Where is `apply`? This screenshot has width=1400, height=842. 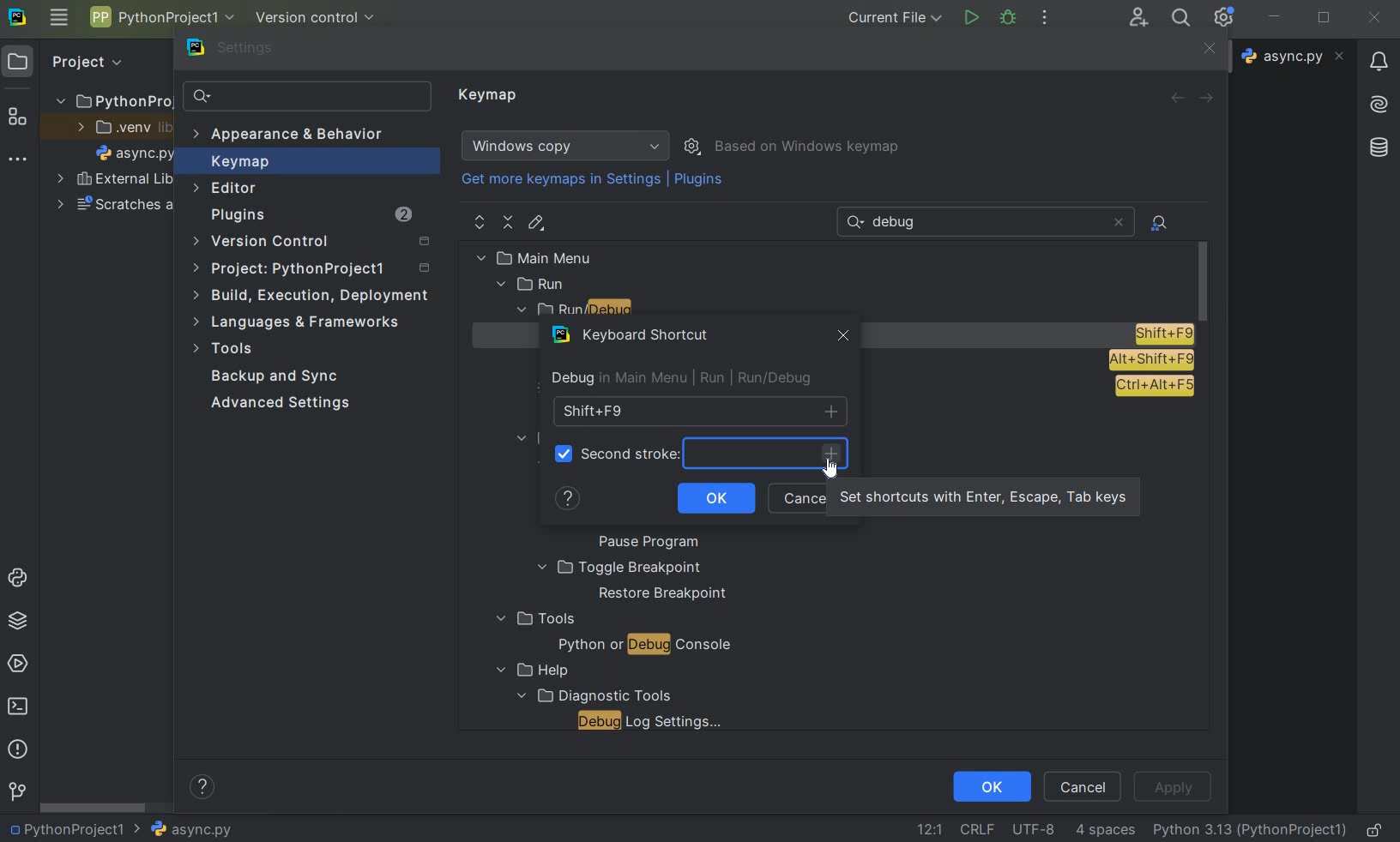 apply is located at coordinates (1172, 787).